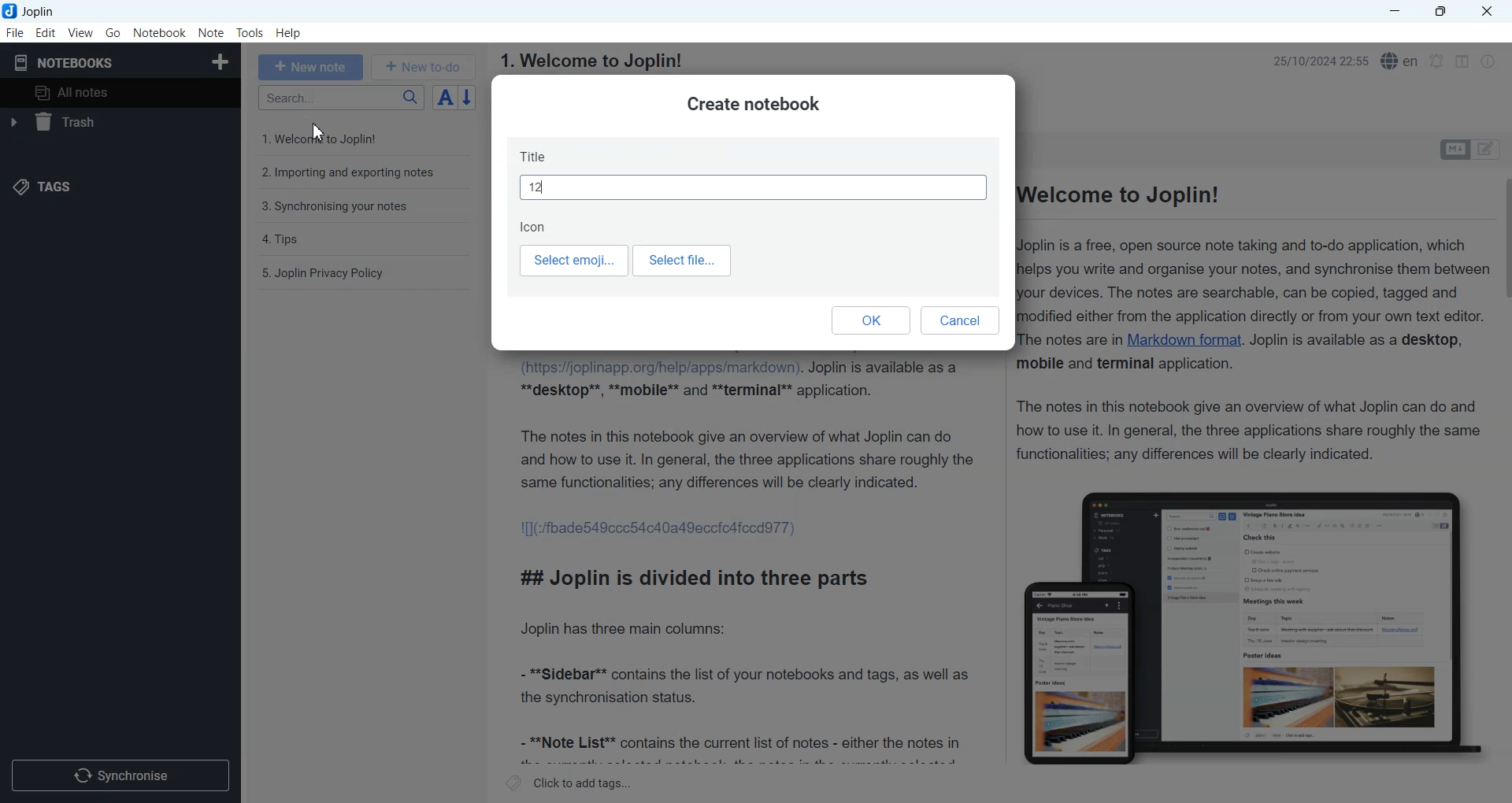 The image size is (1512, 803). Describe the element at coordinates (1462, 61) in the screenshot. I see `Toggle editor layout` at that location.